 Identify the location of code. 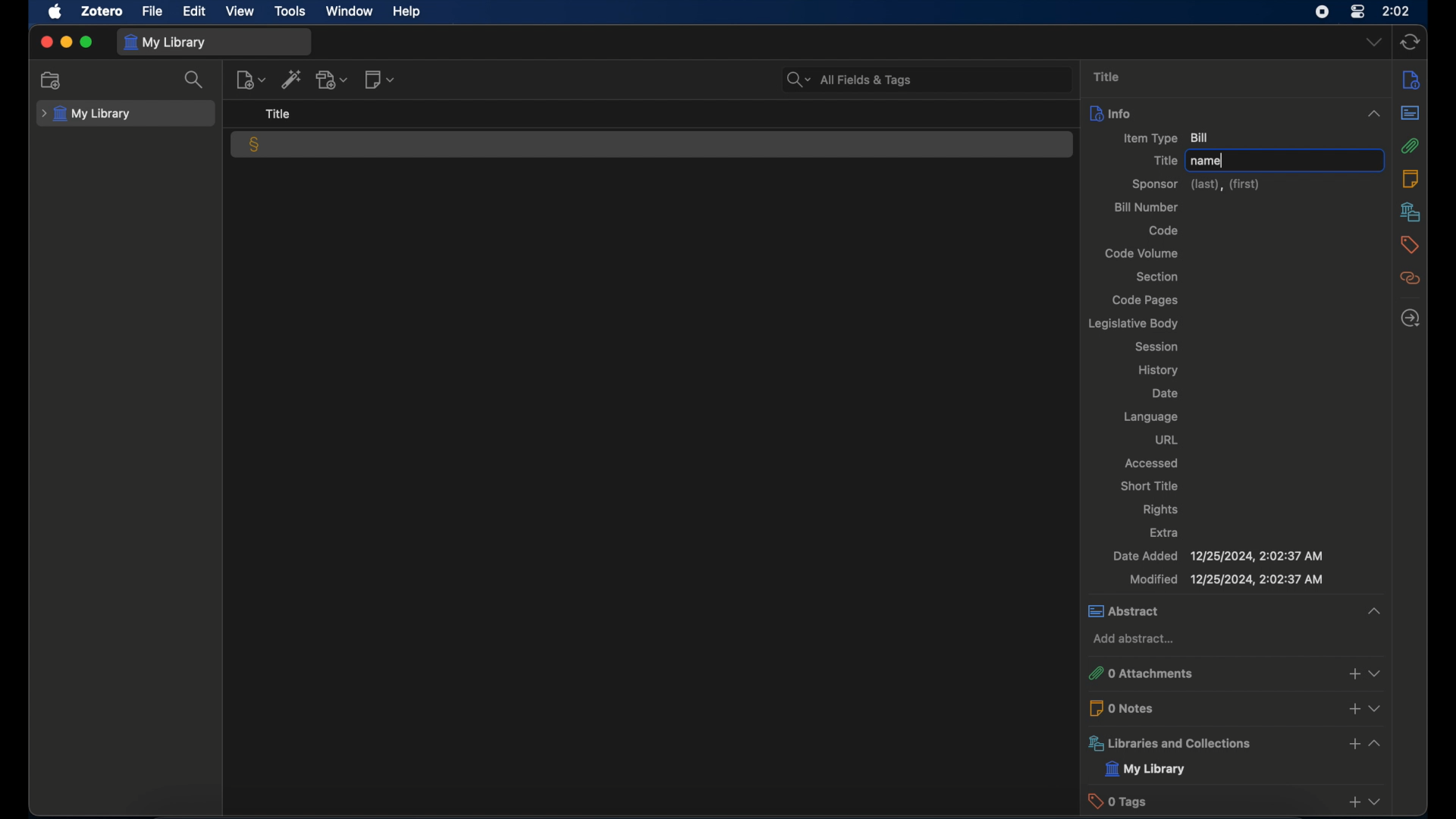
(1164, 230).